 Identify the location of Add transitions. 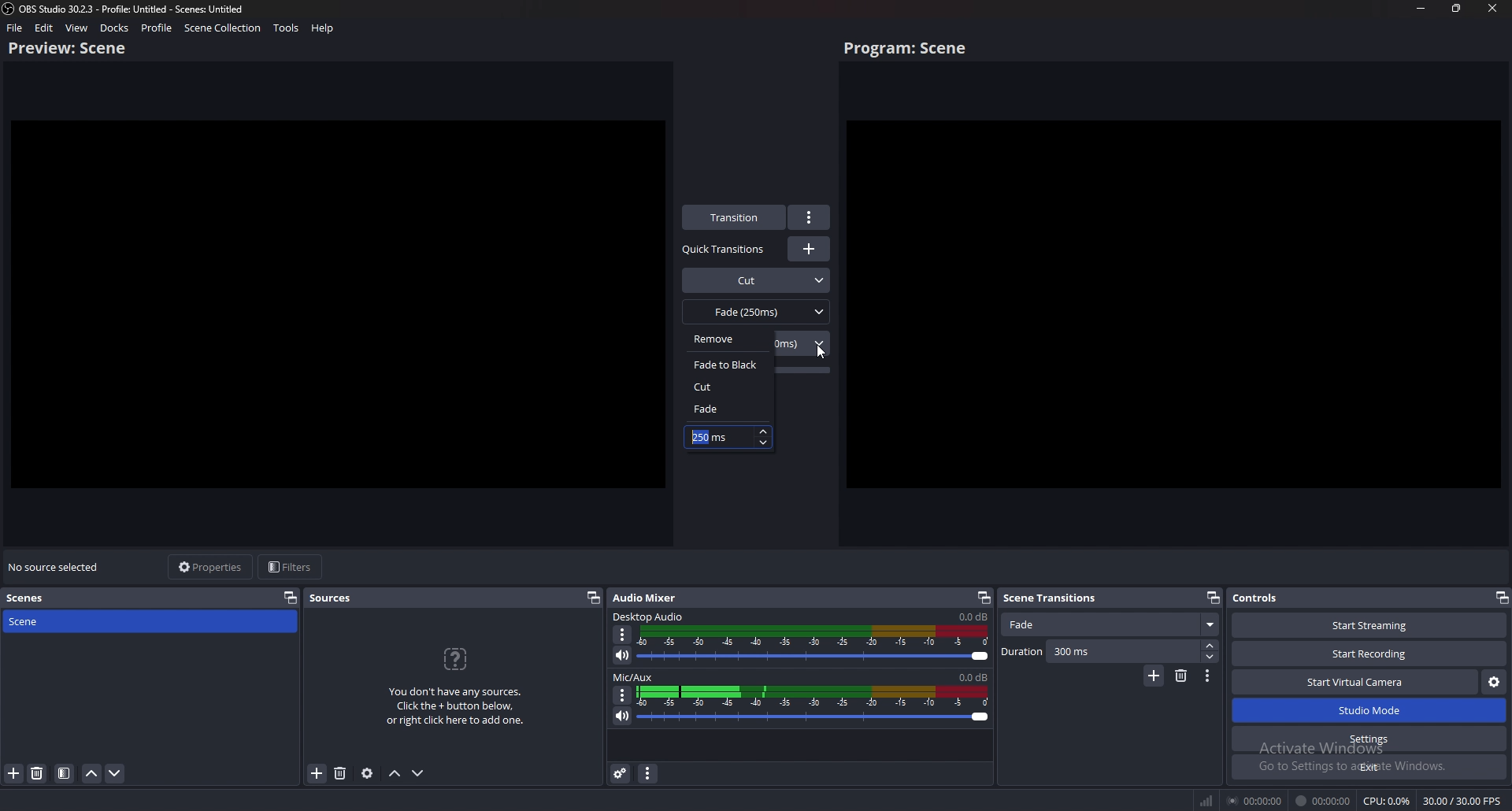
(809, 249).